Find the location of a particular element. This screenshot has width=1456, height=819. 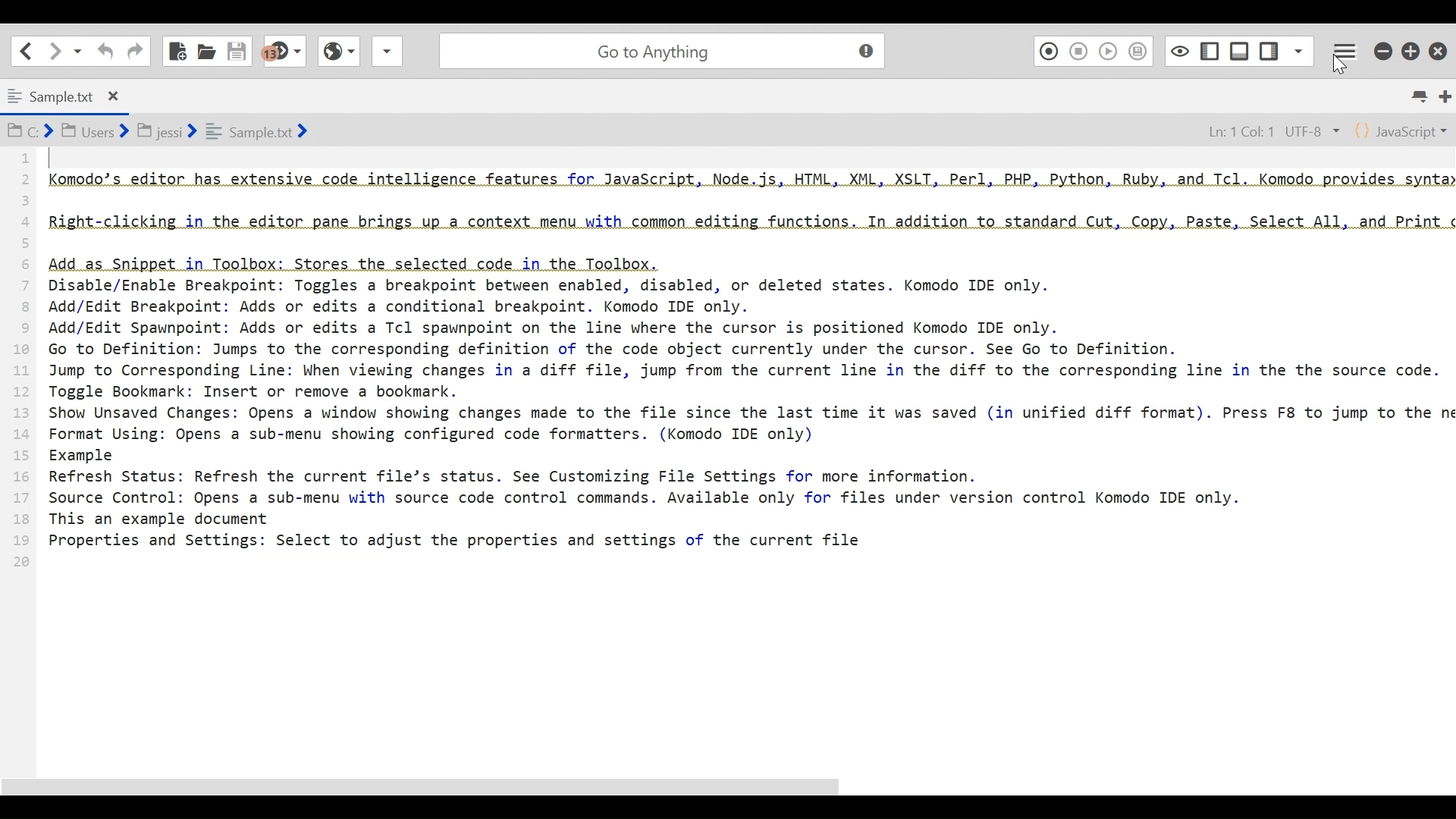

Record Macro is located at coordinates (1048, 50).